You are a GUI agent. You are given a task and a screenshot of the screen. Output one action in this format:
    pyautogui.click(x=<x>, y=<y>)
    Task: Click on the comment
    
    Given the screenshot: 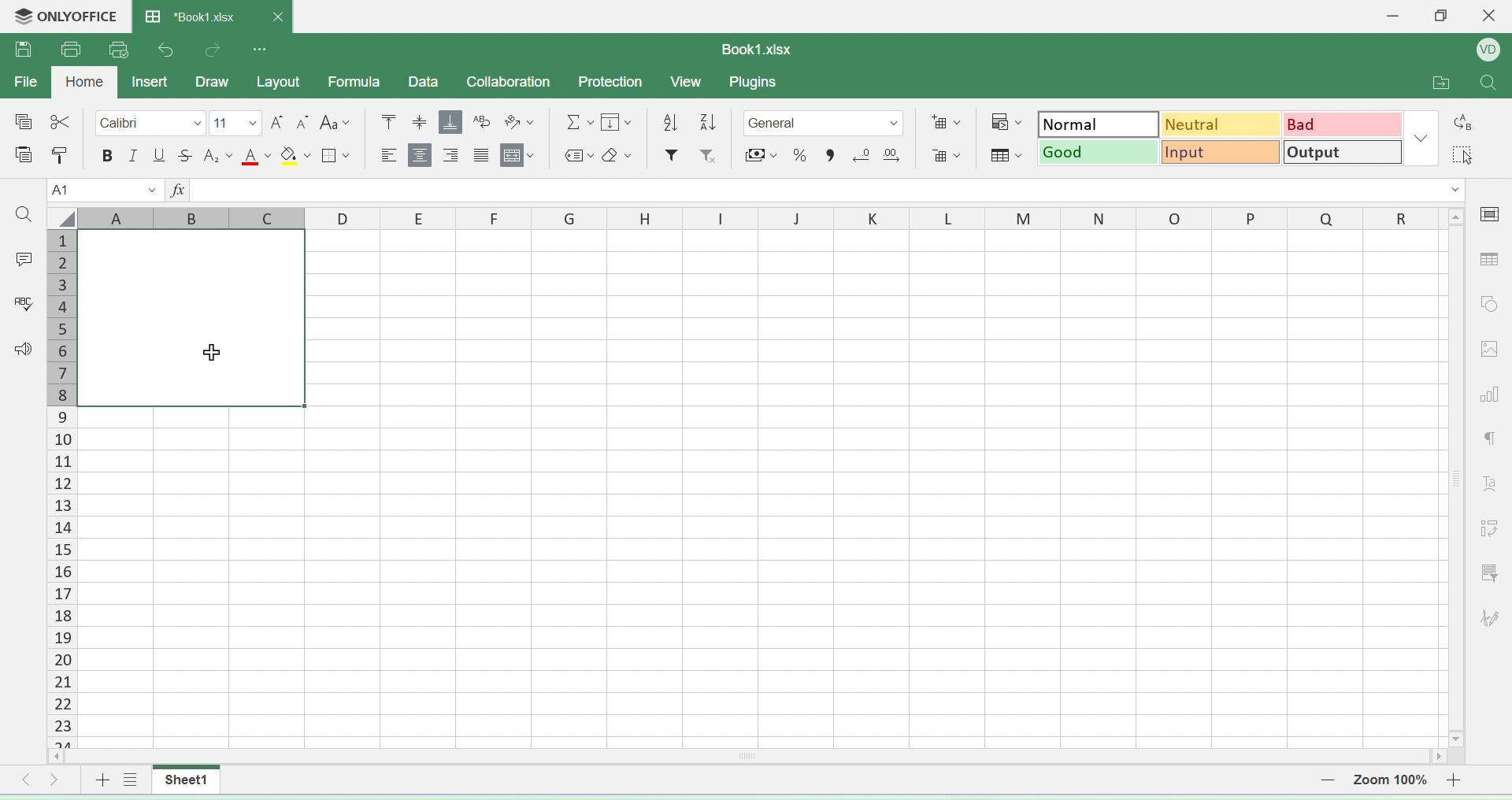 What is the action you would take?
    pyautogui.click(x=27, y=257)
    